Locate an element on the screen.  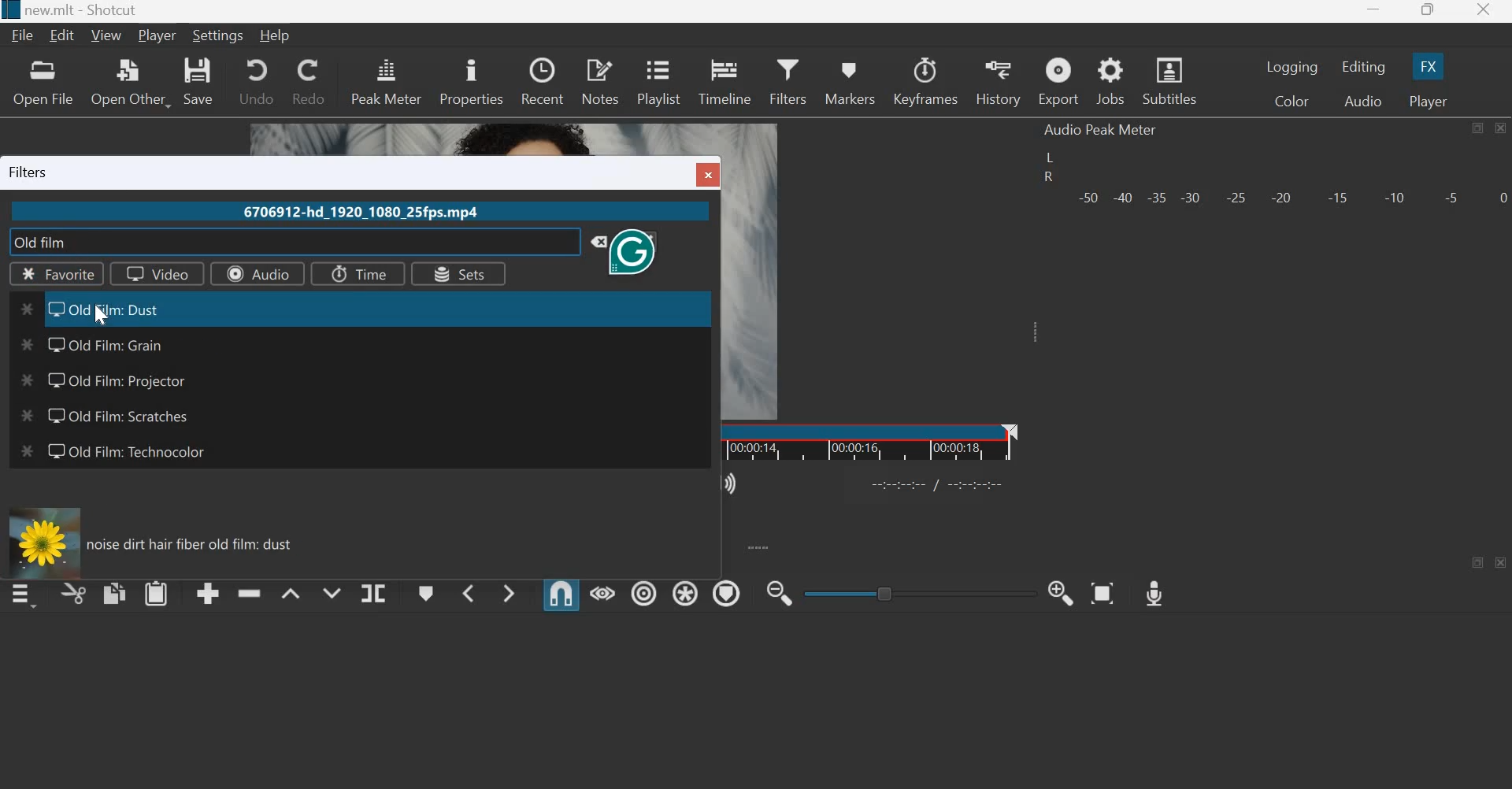
Old Film: Grain is located at coordinates (117, 347).